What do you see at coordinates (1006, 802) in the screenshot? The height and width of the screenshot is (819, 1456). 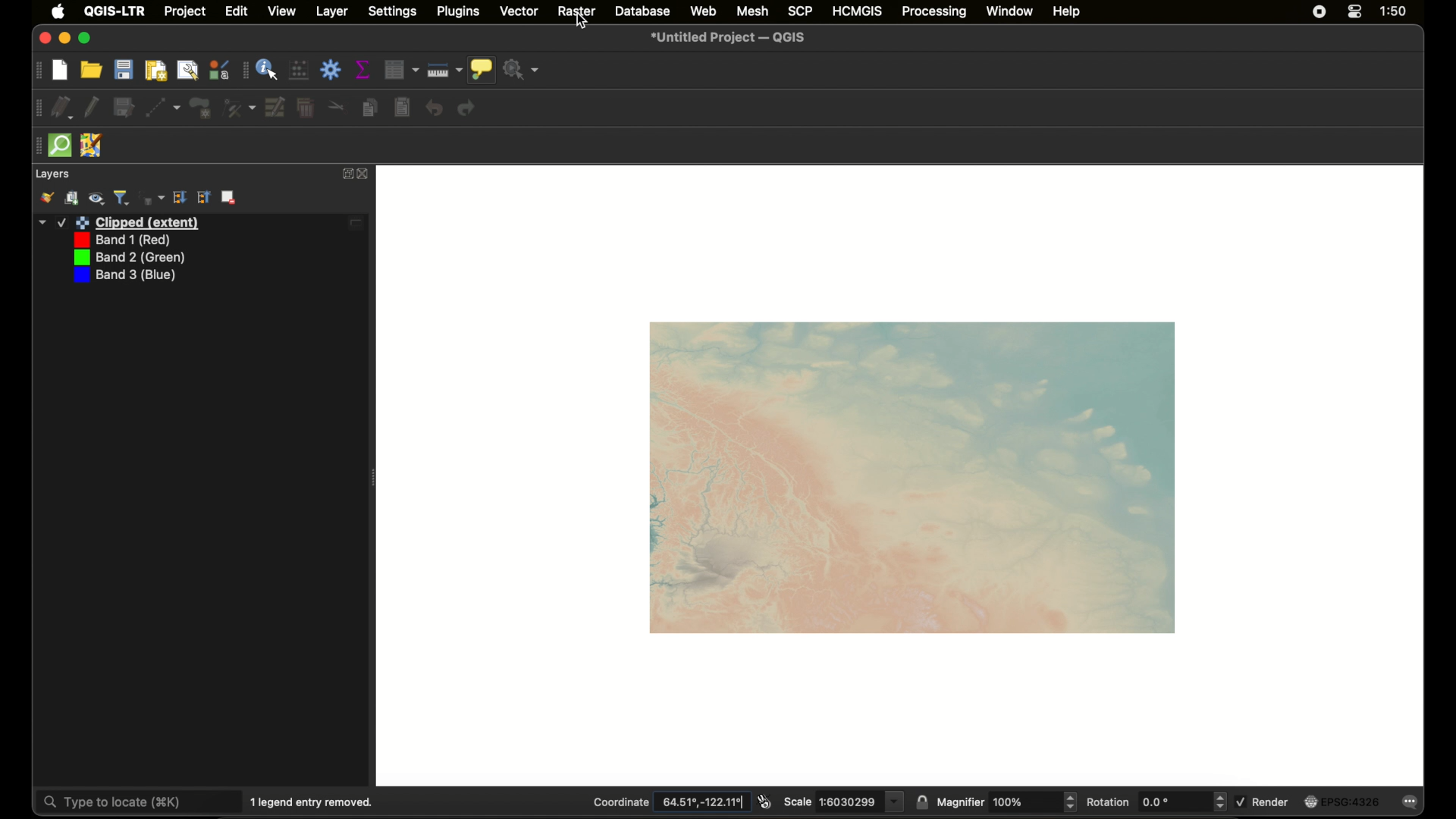 I see `magnifier` at bounding box center [1006, 802].